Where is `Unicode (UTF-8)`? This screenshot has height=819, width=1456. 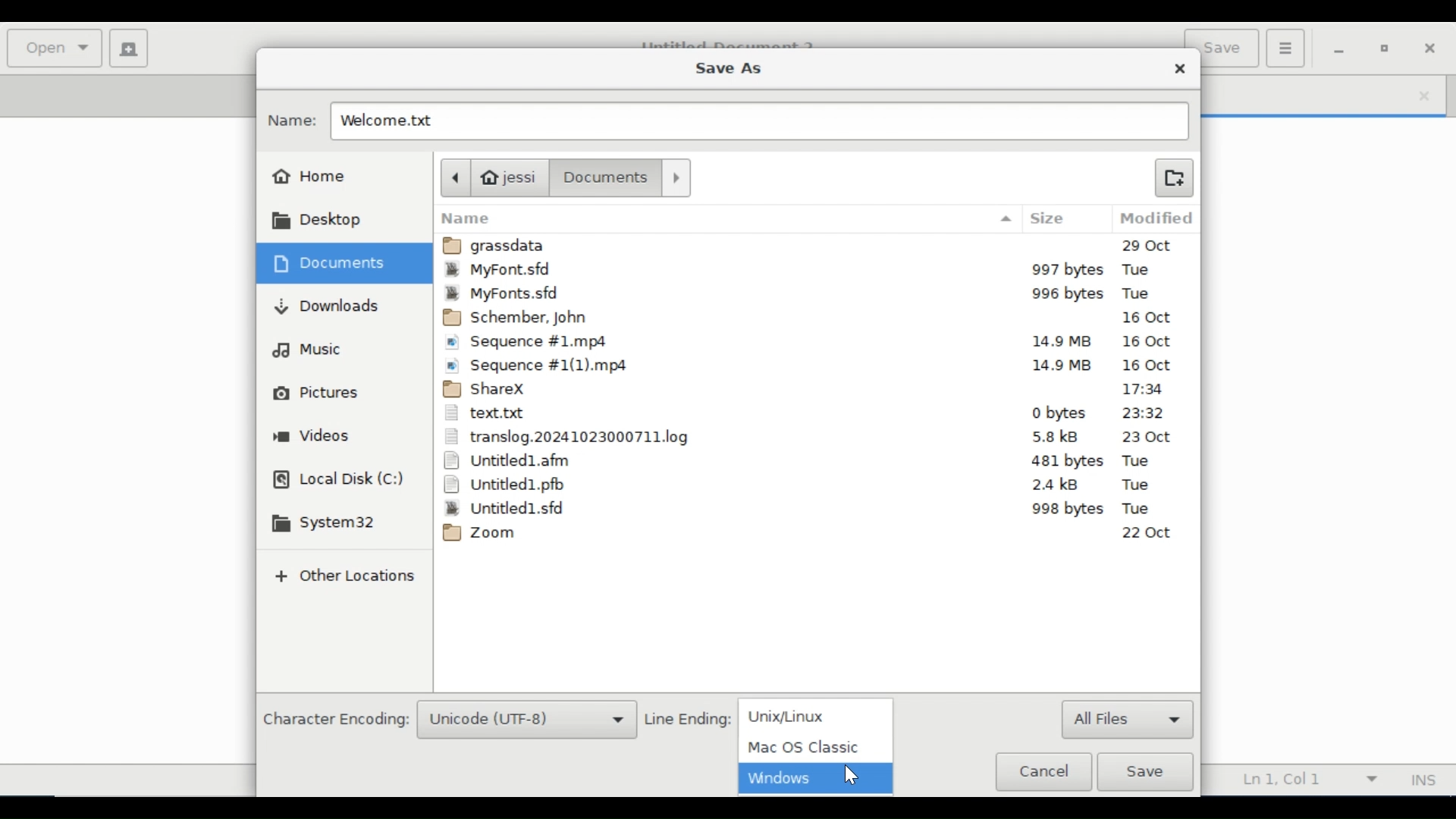 Unicode (UTF-8) is located at coordinates (526, 720).